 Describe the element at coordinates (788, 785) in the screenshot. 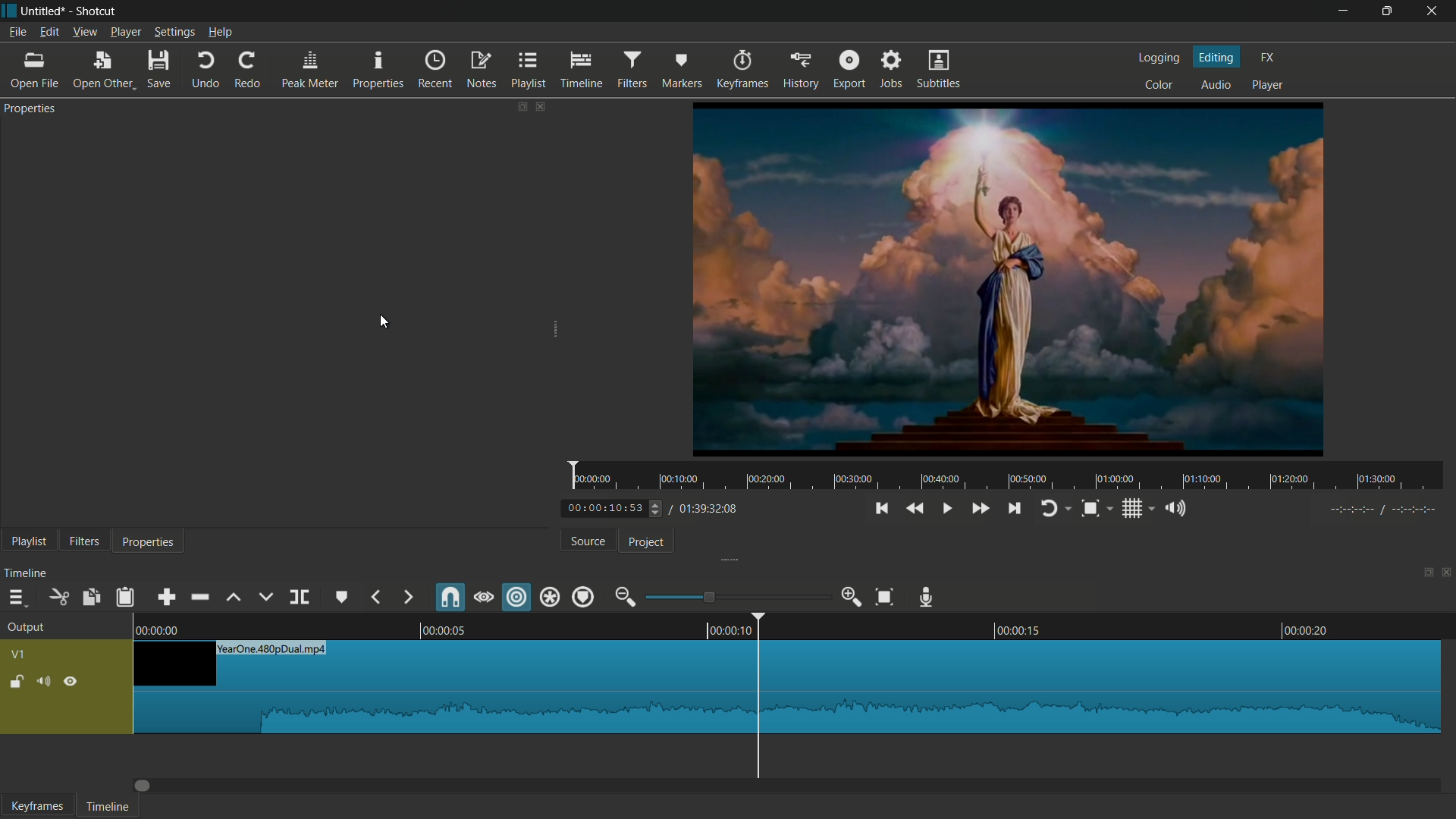

I see `Dragbar` at that location.